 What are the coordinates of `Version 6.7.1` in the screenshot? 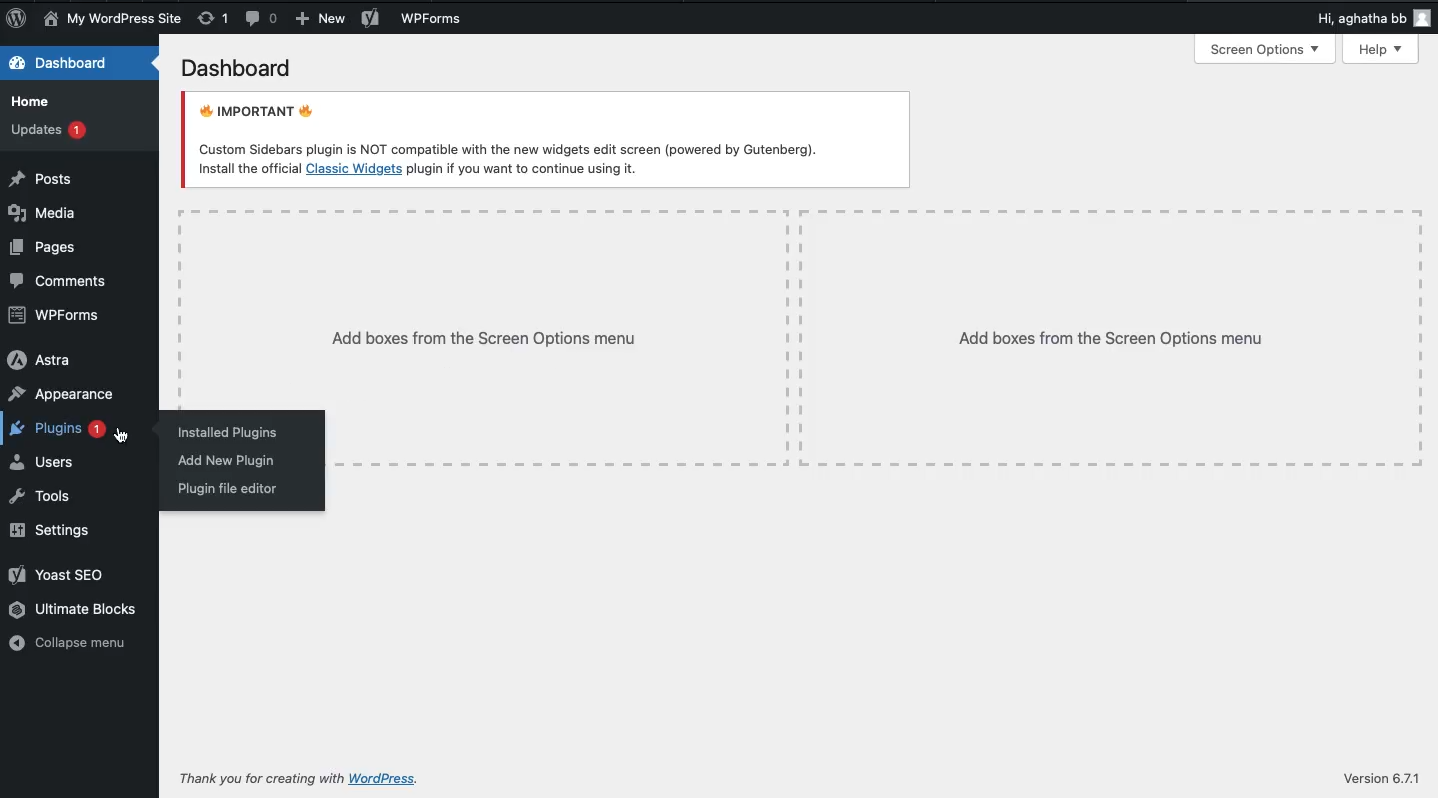 It's located at (1378, 779).